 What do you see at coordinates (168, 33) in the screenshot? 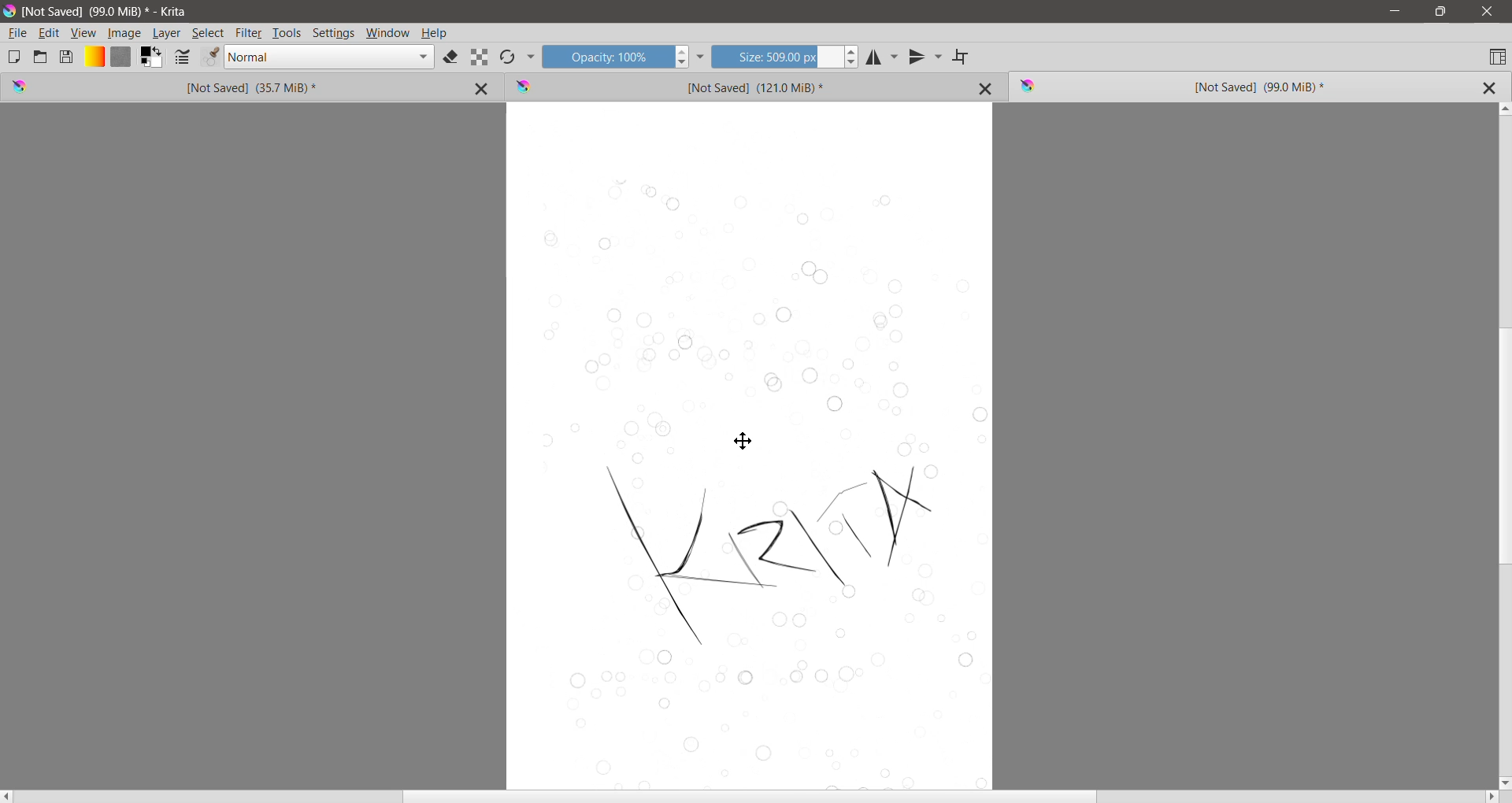
I see `Layer` at bounding box center [168, 33].